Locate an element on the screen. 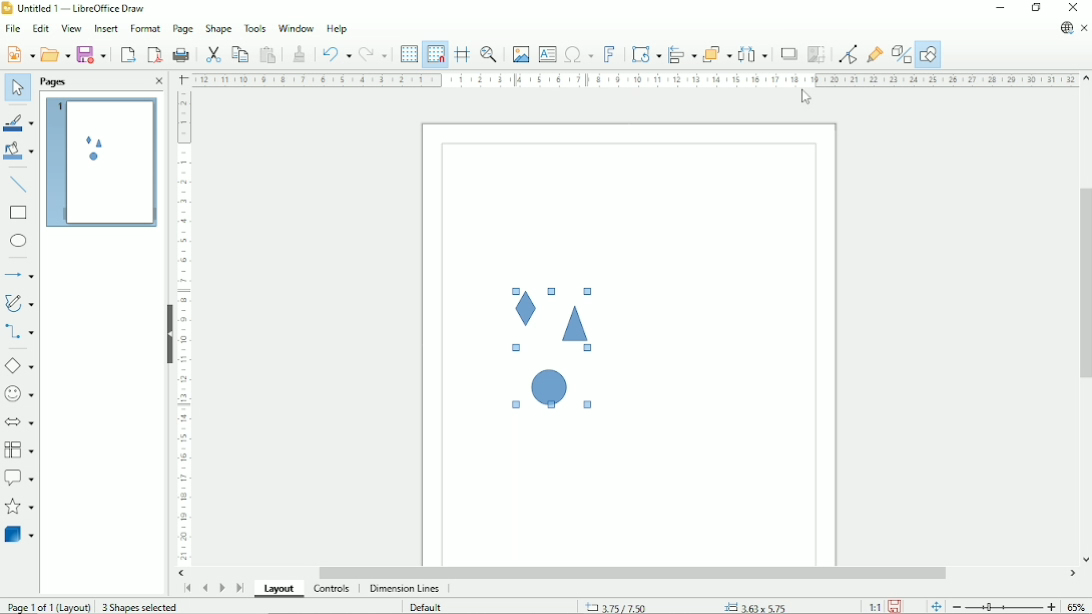 The image size is (1092, 614). Vertical scrollbar is located at coordinates (1083, 282).